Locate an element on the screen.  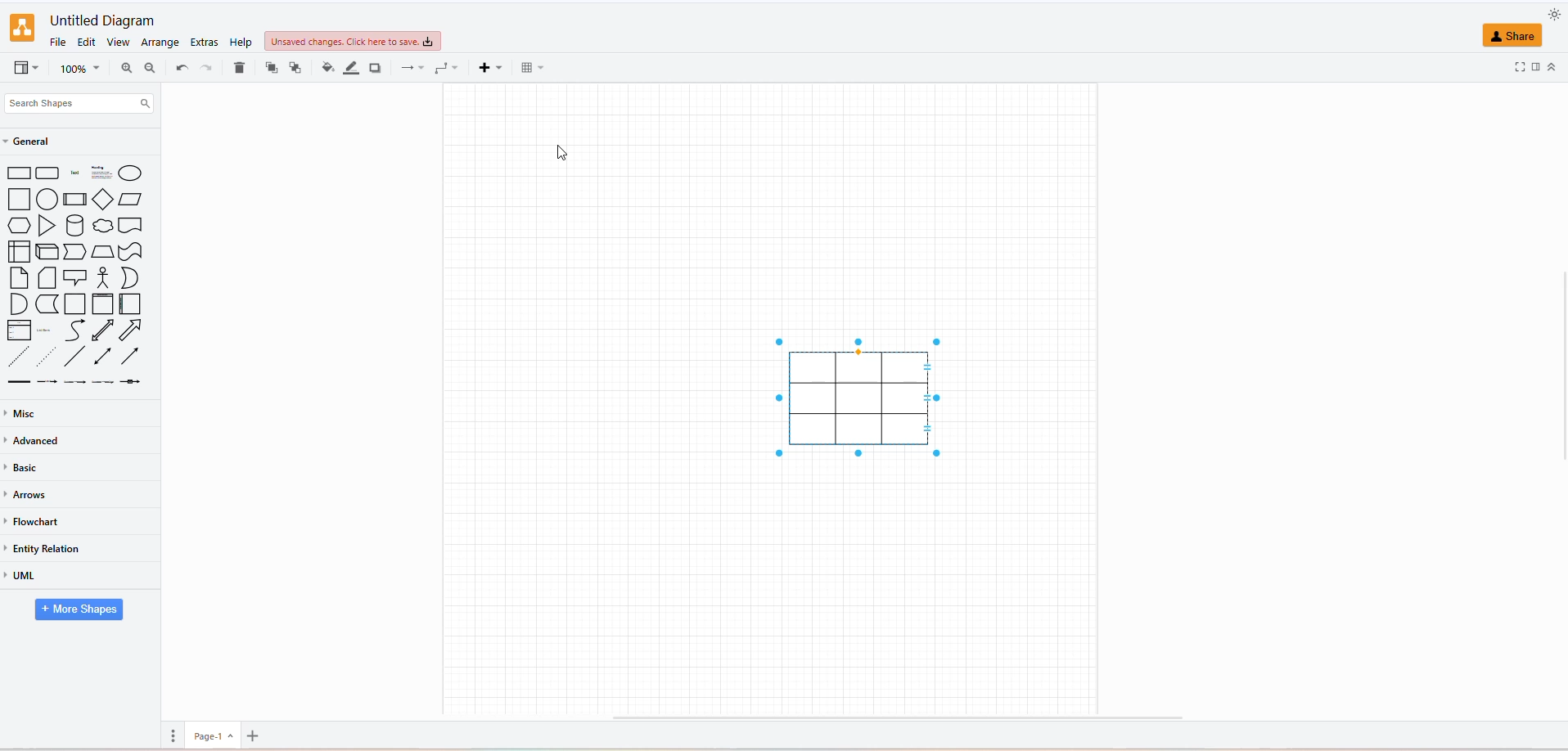
unsaved changes click here to save is located at coordinates (351, 43).